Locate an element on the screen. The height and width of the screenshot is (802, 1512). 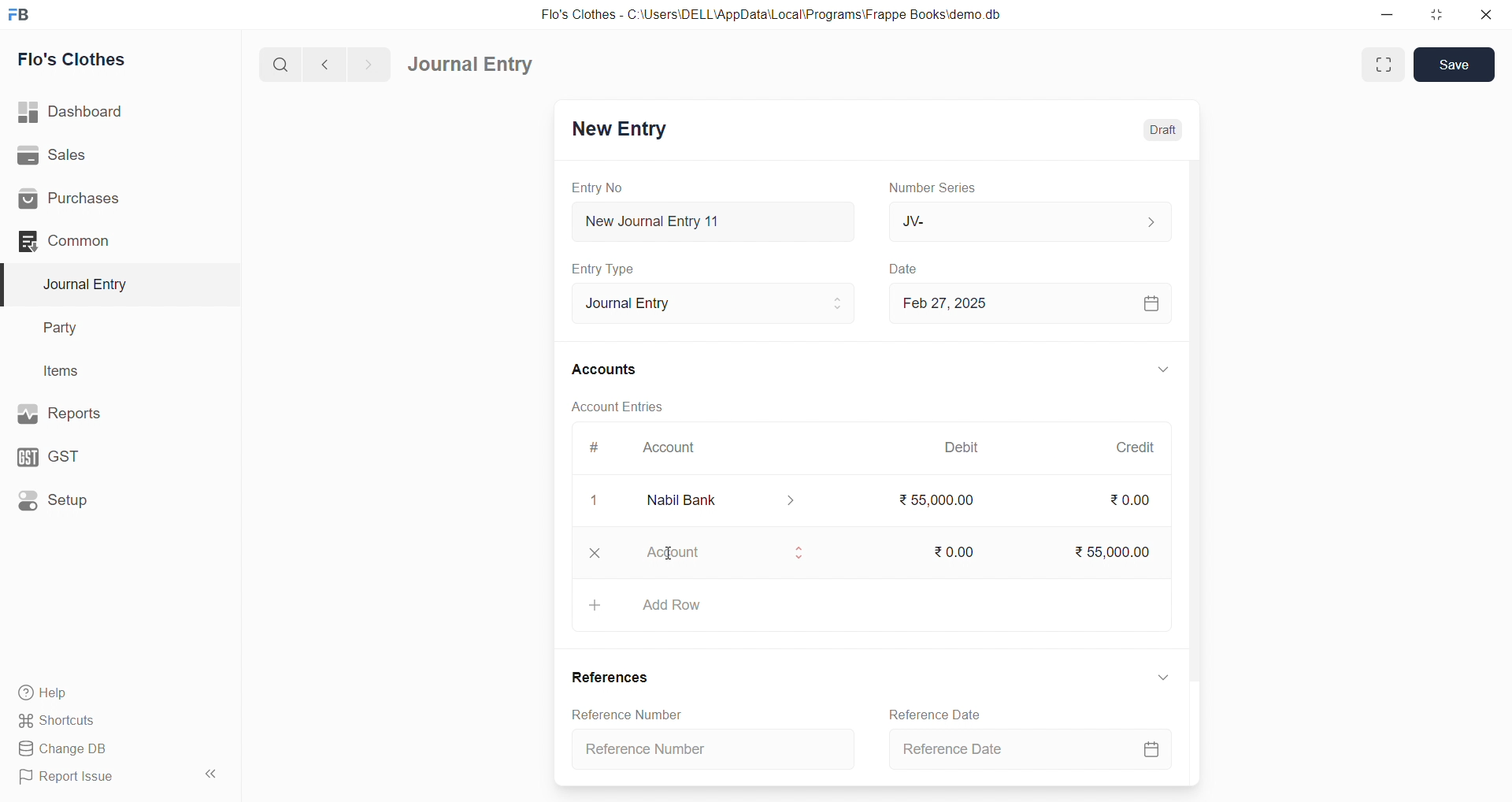
selected is located at coordinates (9, 284).